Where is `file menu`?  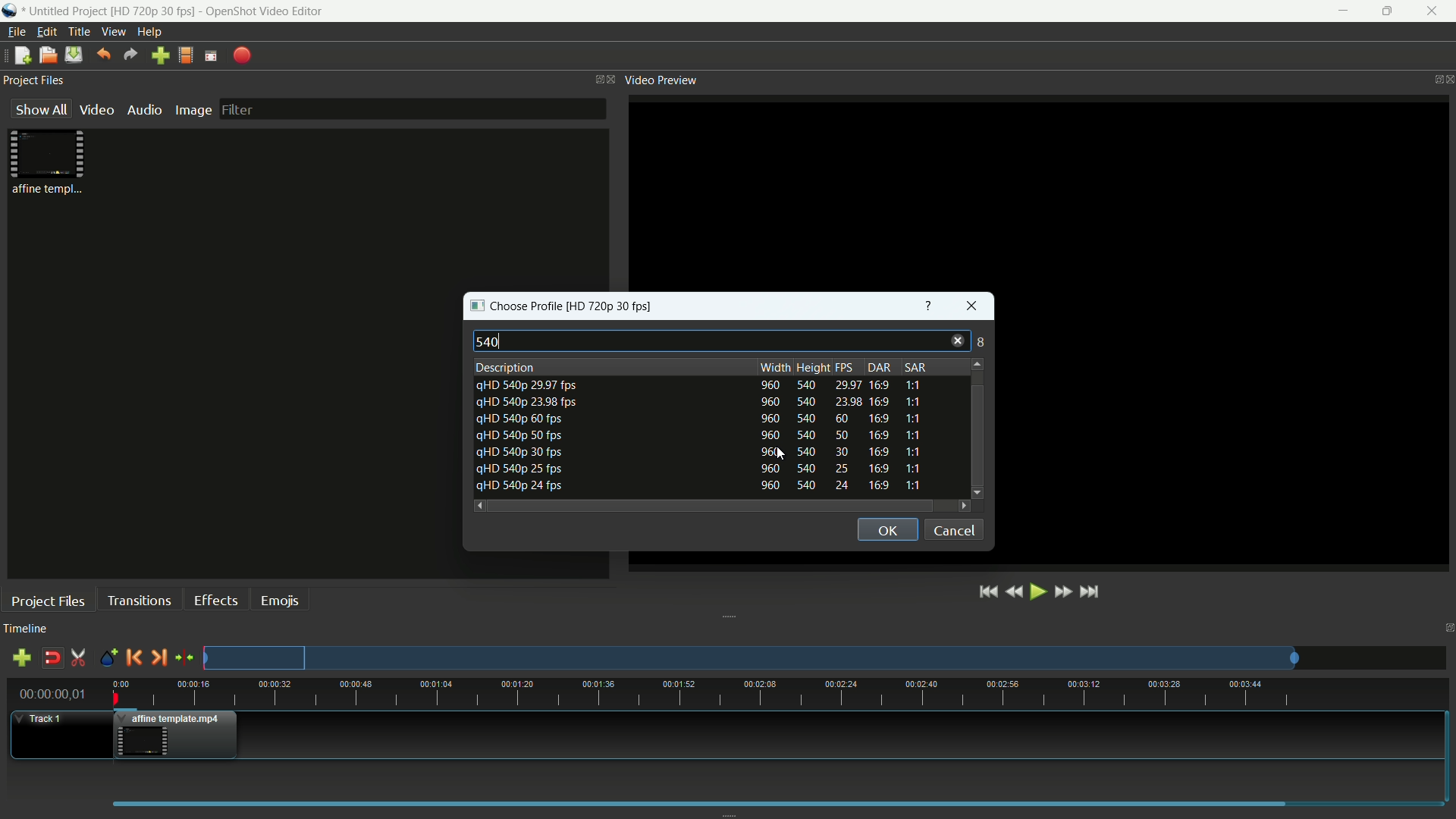
file menu is located at coordinates (16, 32).